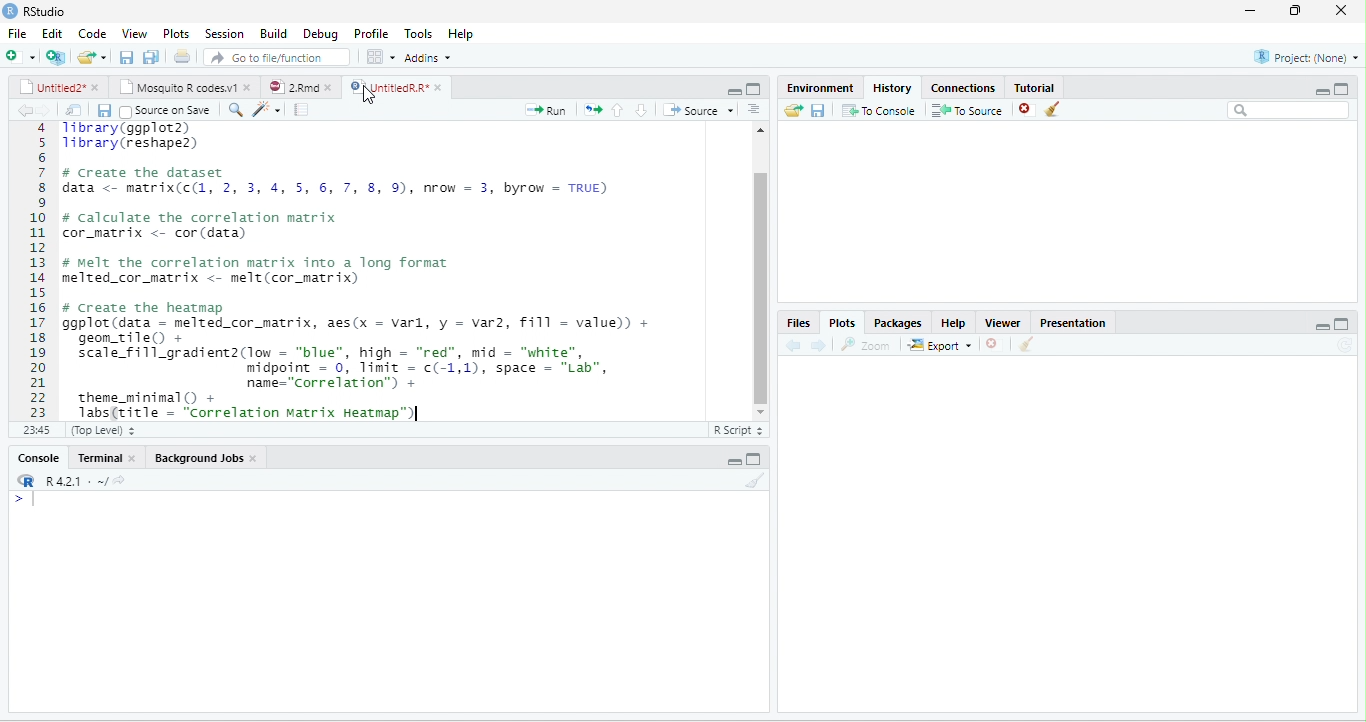 Image resolution: width=1366 pixels, height=722 pixels. I want to click on minimize, so click(734, 460).